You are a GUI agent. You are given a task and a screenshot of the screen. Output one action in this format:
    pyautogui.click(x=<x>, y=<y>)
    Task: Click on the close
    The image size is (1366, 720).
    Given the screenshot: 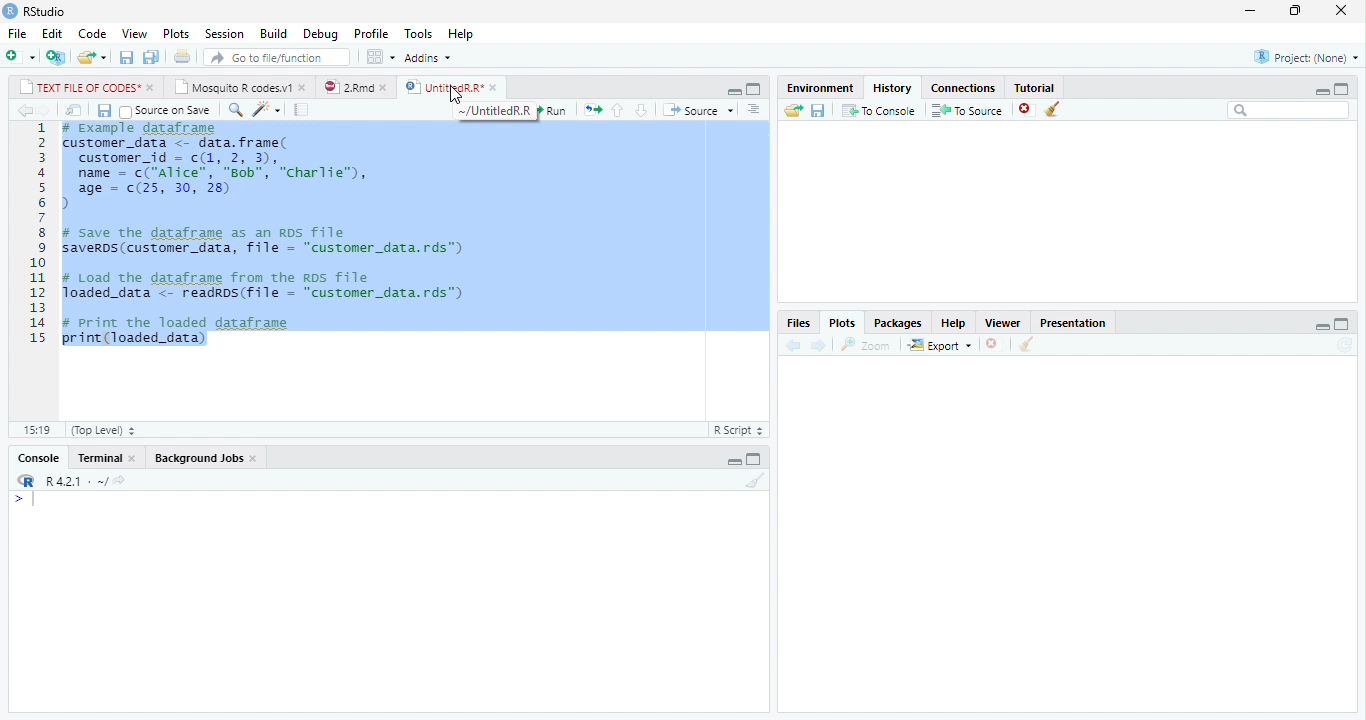 What is the action you would take?
    pyautogui.click(x=305, y=87)
    